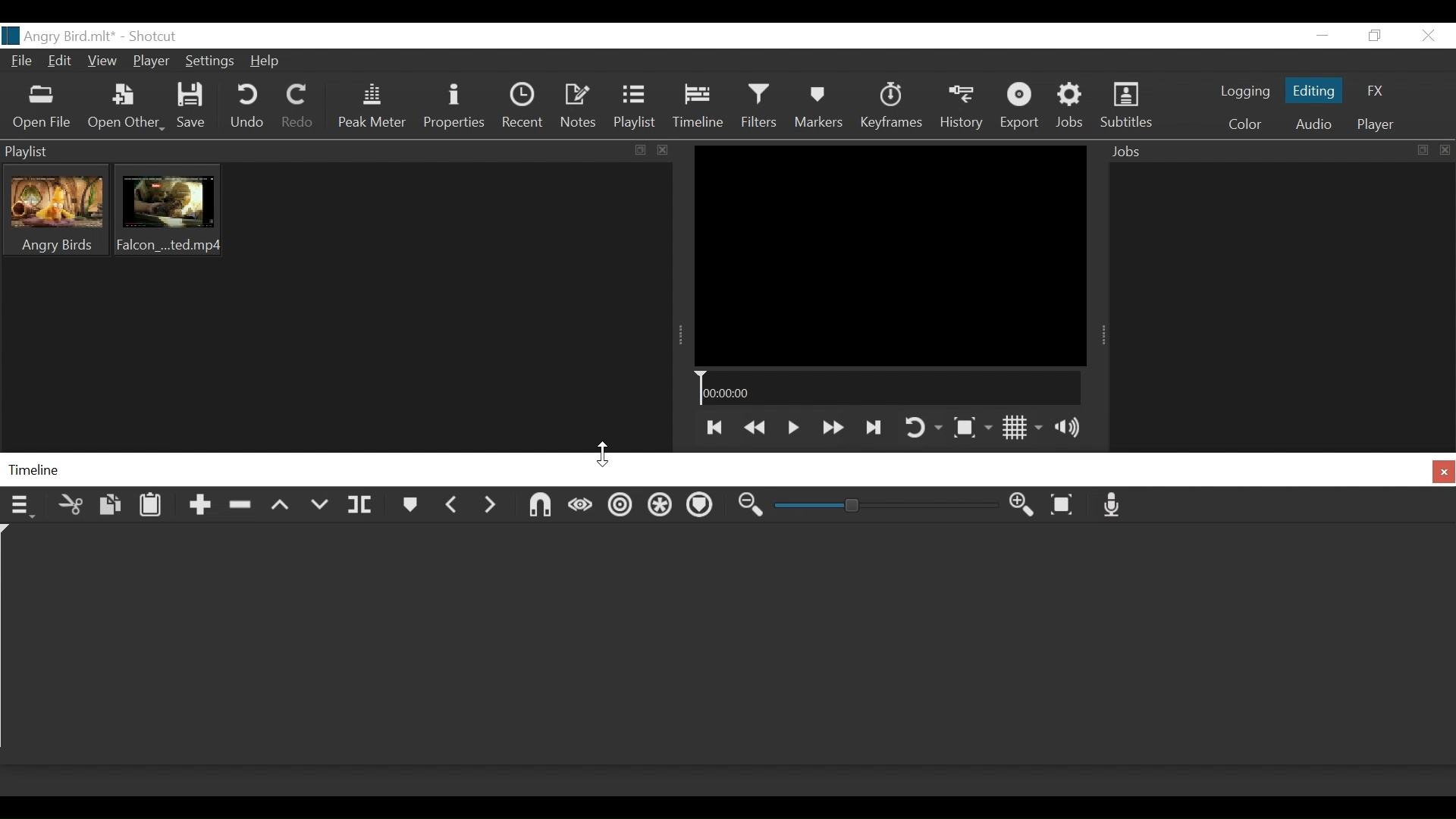  I want to click on Jobs, so click(1075, 106).